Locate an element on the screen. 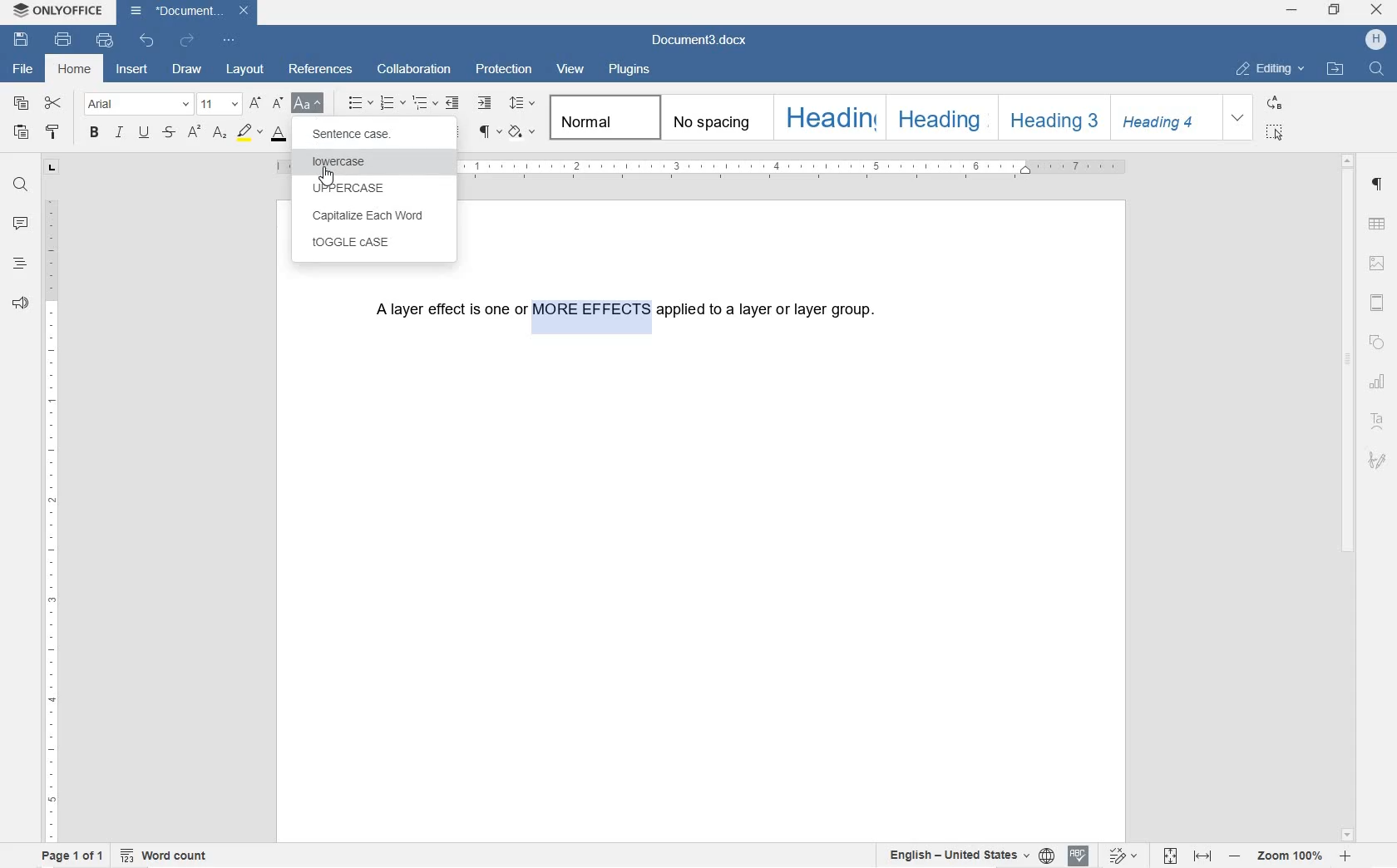  SCROLLBAR is located at coordinates (1348, 497).